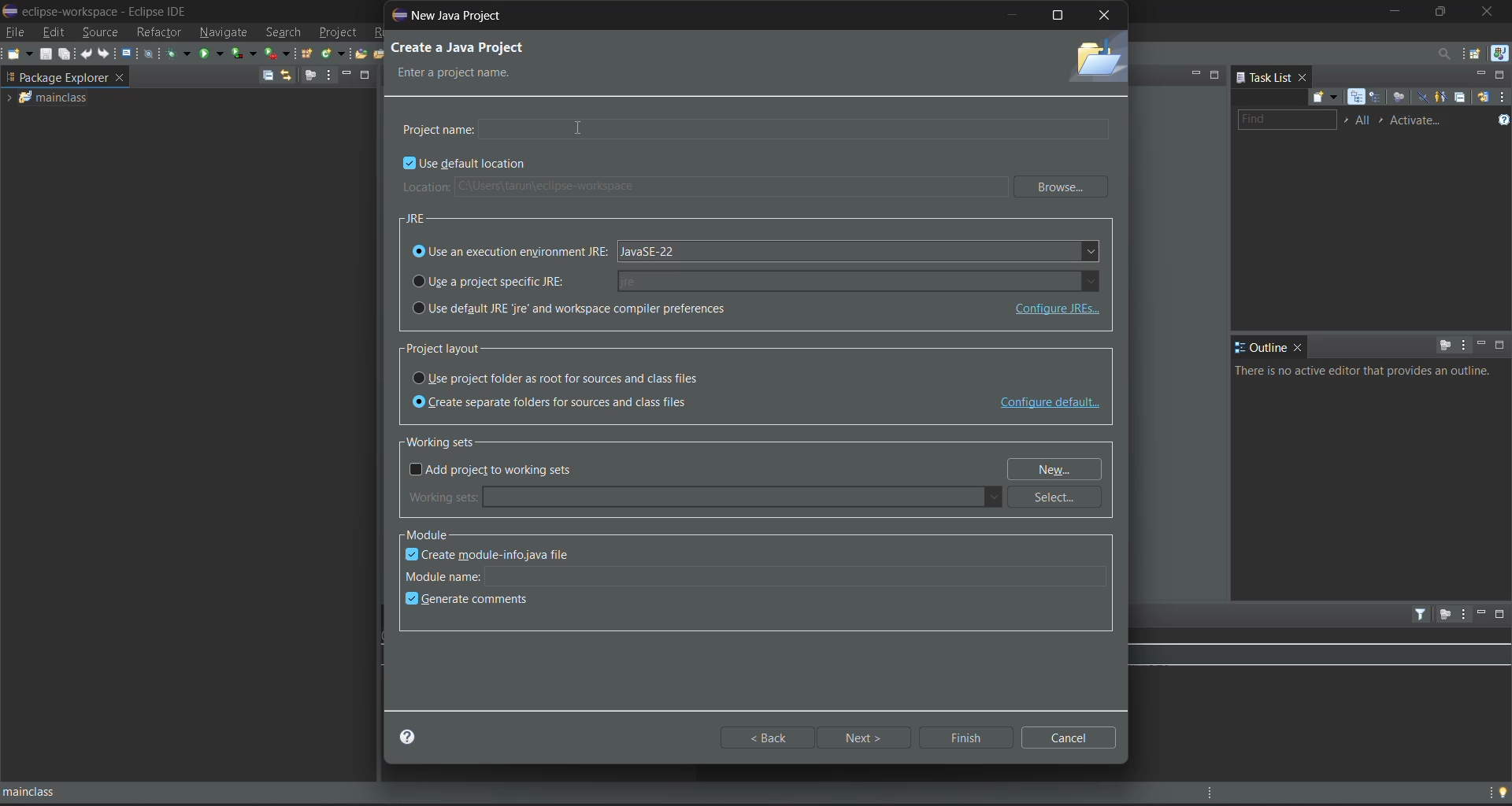 The width and height of the screenshot is (1512, 806). Describe the element at coordinates (286, 75) in the screenshot. I see `link with editor` at that location.